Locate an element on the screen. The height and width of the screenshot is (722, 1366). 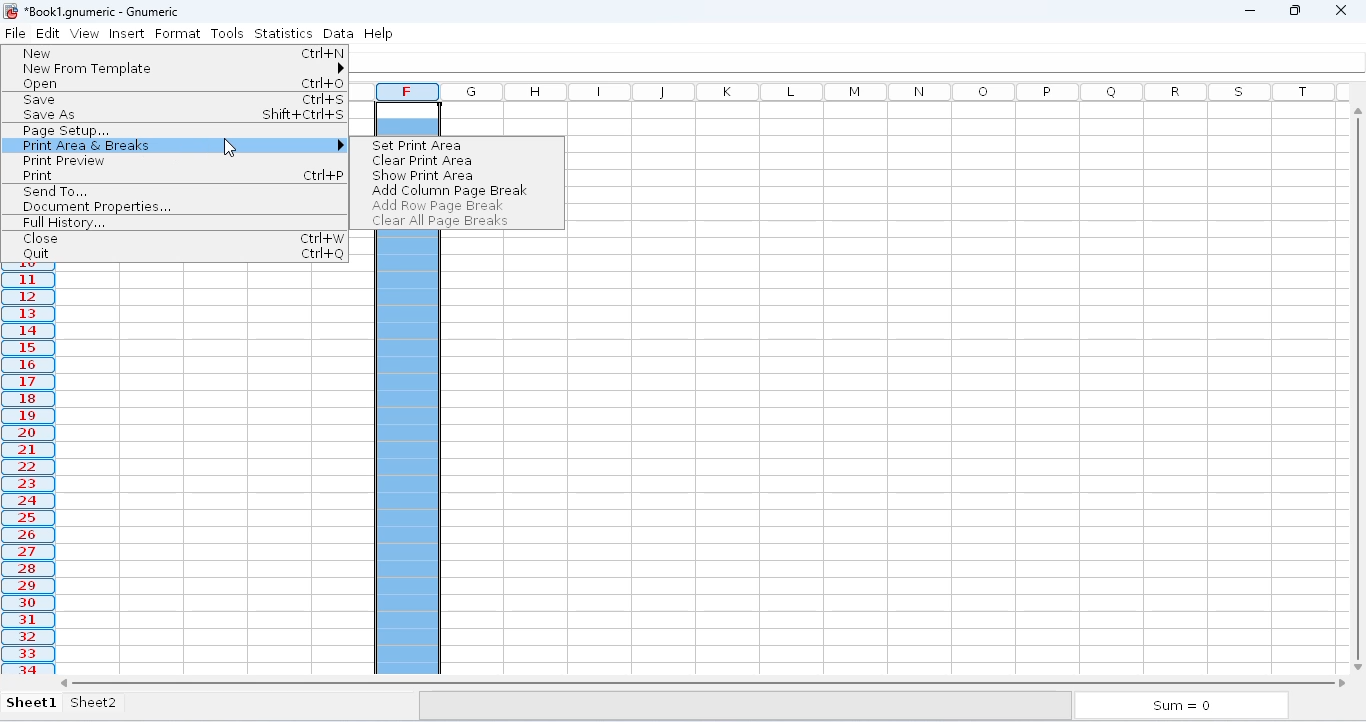
document properties is located at coordinates (96, 207).